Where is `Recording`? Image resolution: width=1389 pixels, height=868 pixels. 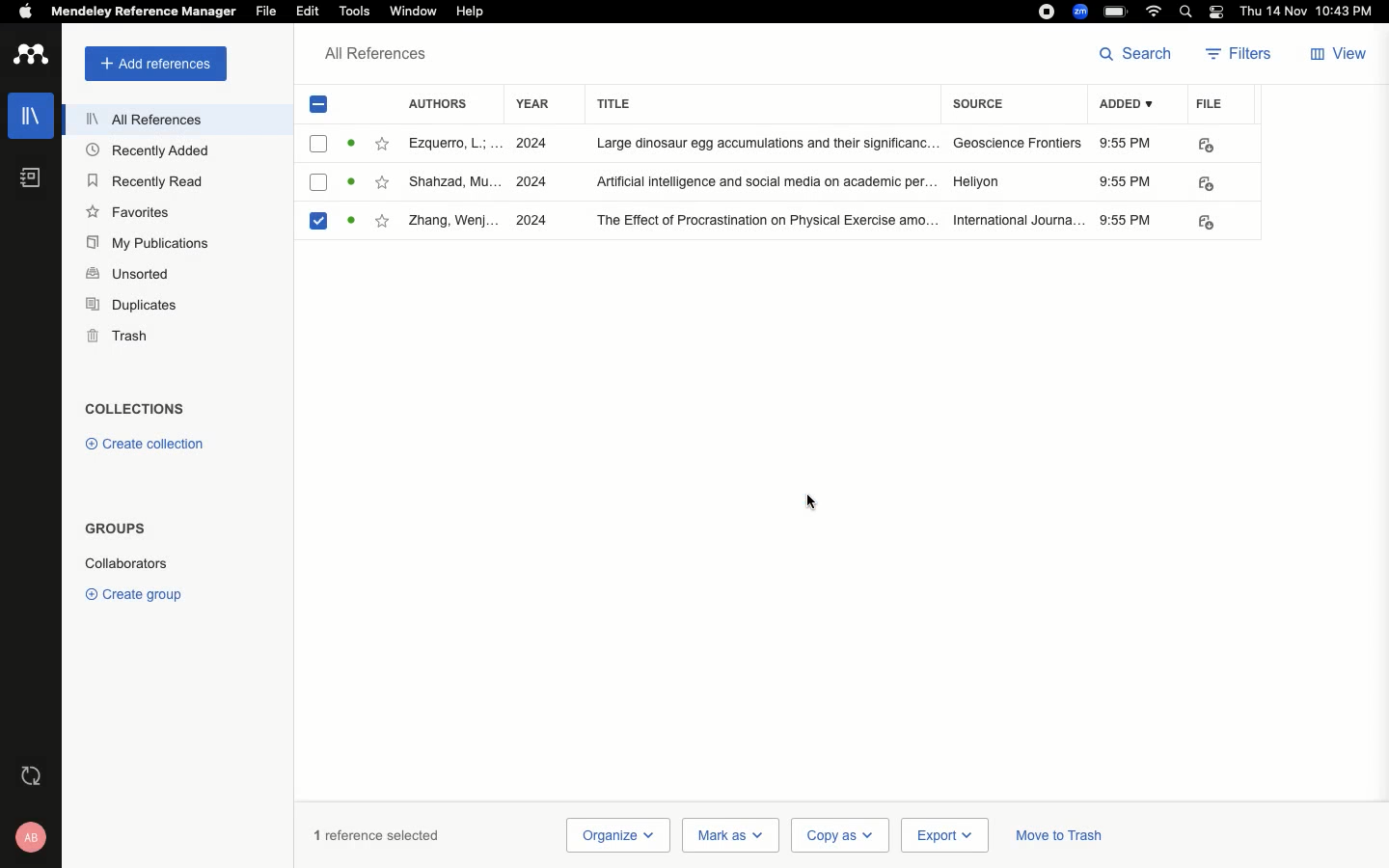 Recording is located at coordinates (1048, 10).